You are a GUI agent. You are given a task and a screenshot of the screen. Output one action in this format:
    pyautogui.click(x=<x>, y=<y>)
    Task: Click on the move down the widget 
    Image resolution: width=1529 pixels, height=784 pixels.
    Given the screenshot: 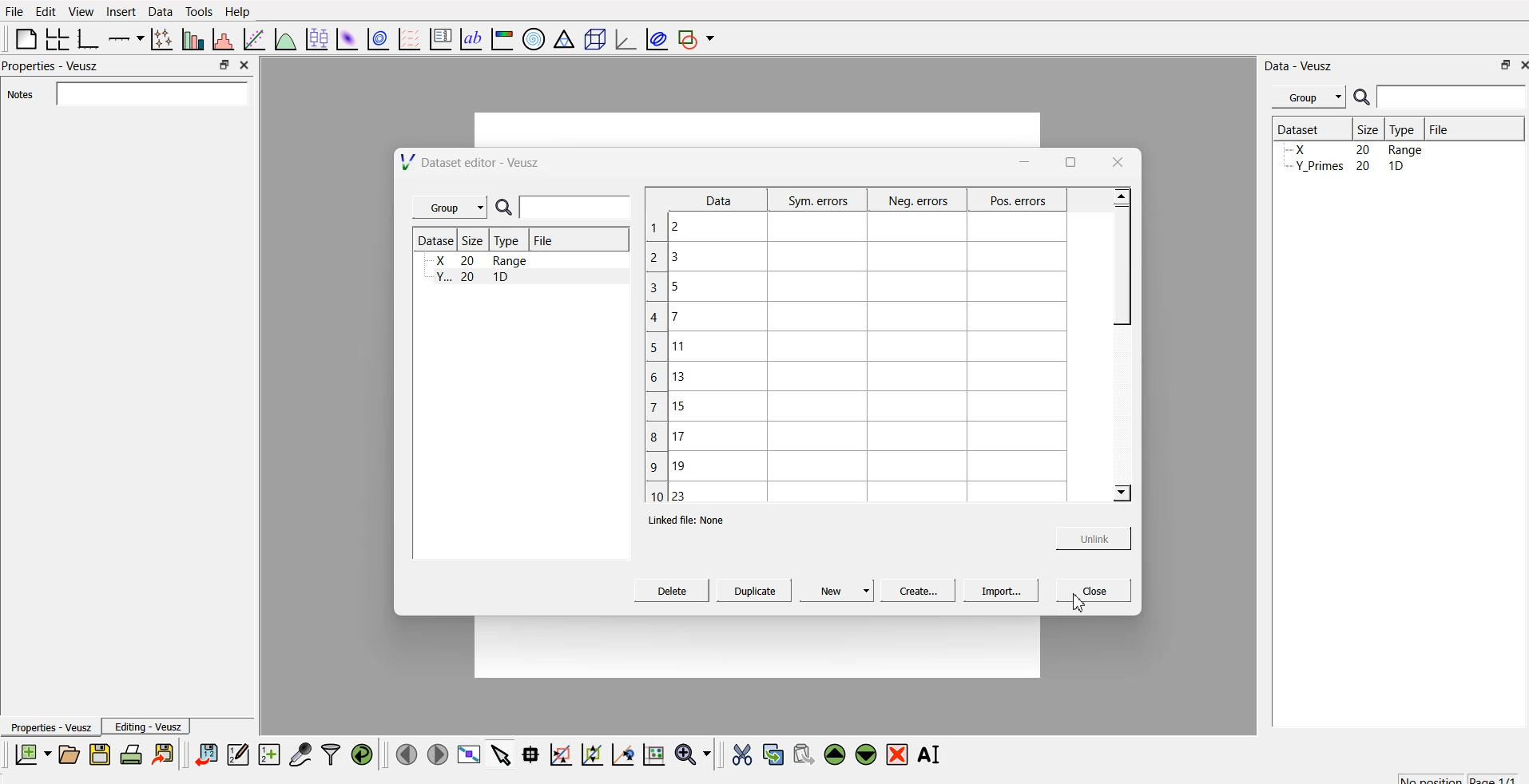 What is the action you would take?
    pyautogui.click(x=864, y=754)
    